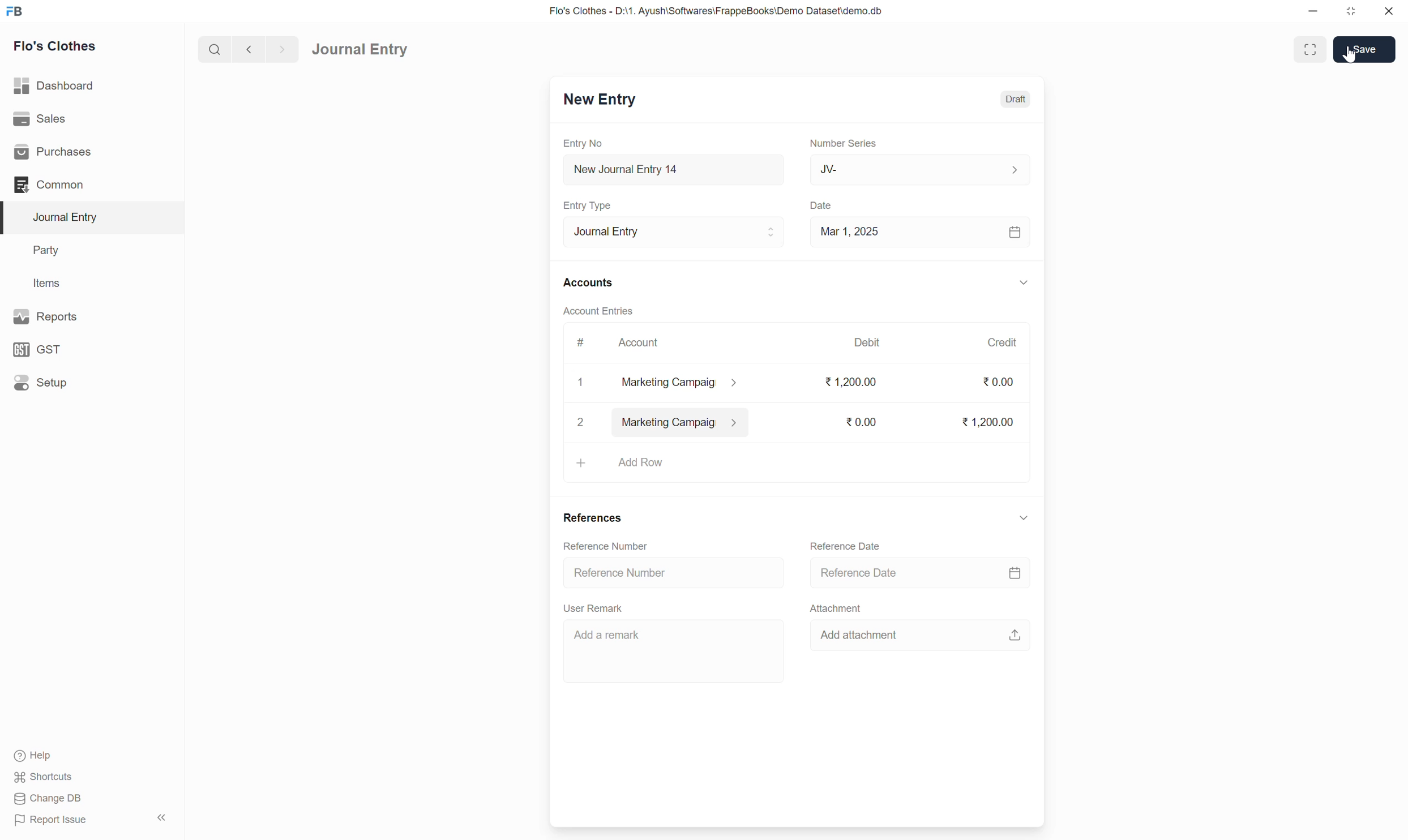 This screenshot has height=840, width=1408. What do you see at coordinates (681, 422) in the screenshot?
I see `marketing campaig` at bounding box center [681, 422].